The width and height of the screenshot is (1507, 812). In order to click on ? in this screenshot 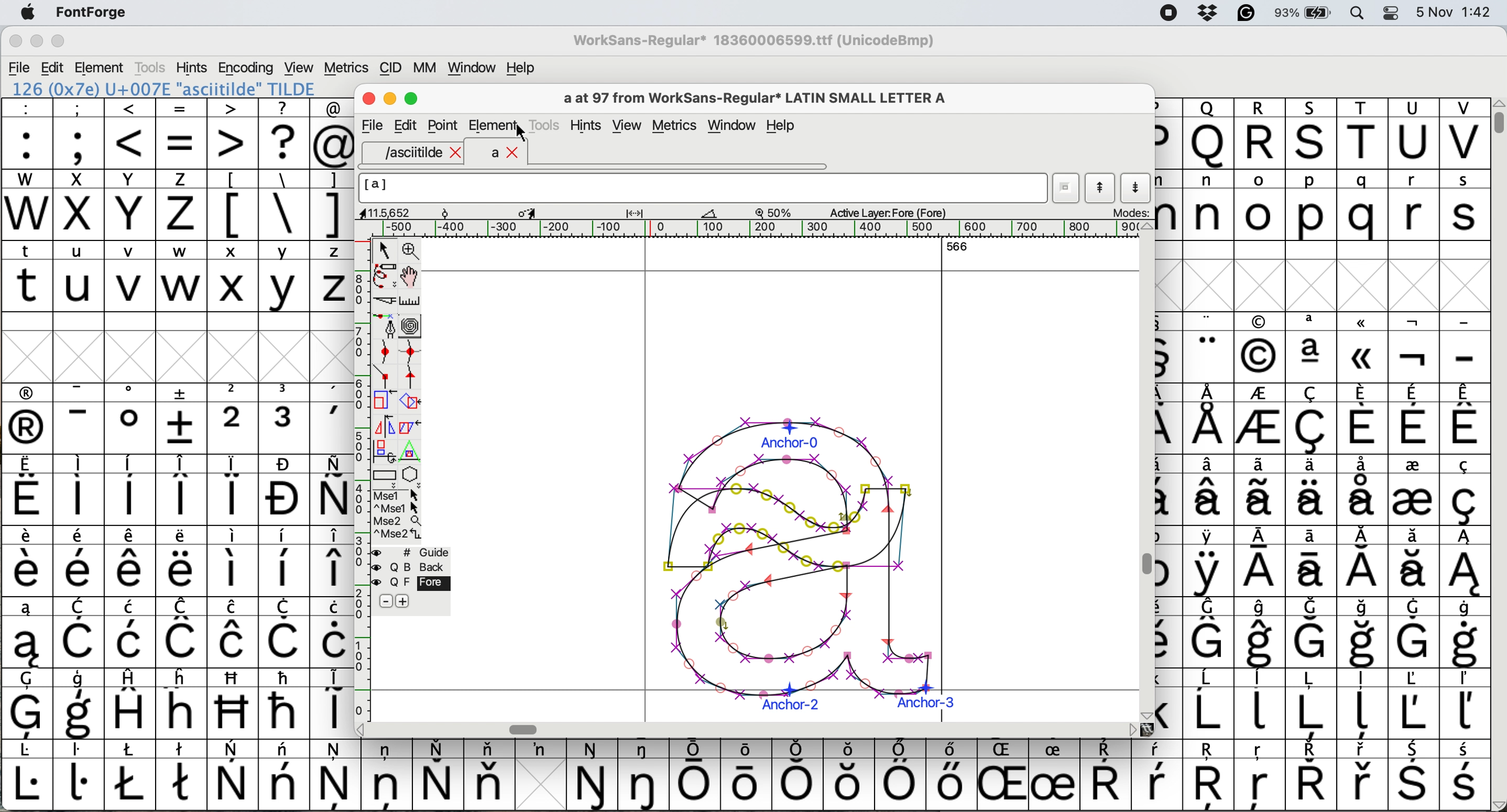, I will do `click(284, 133)`.